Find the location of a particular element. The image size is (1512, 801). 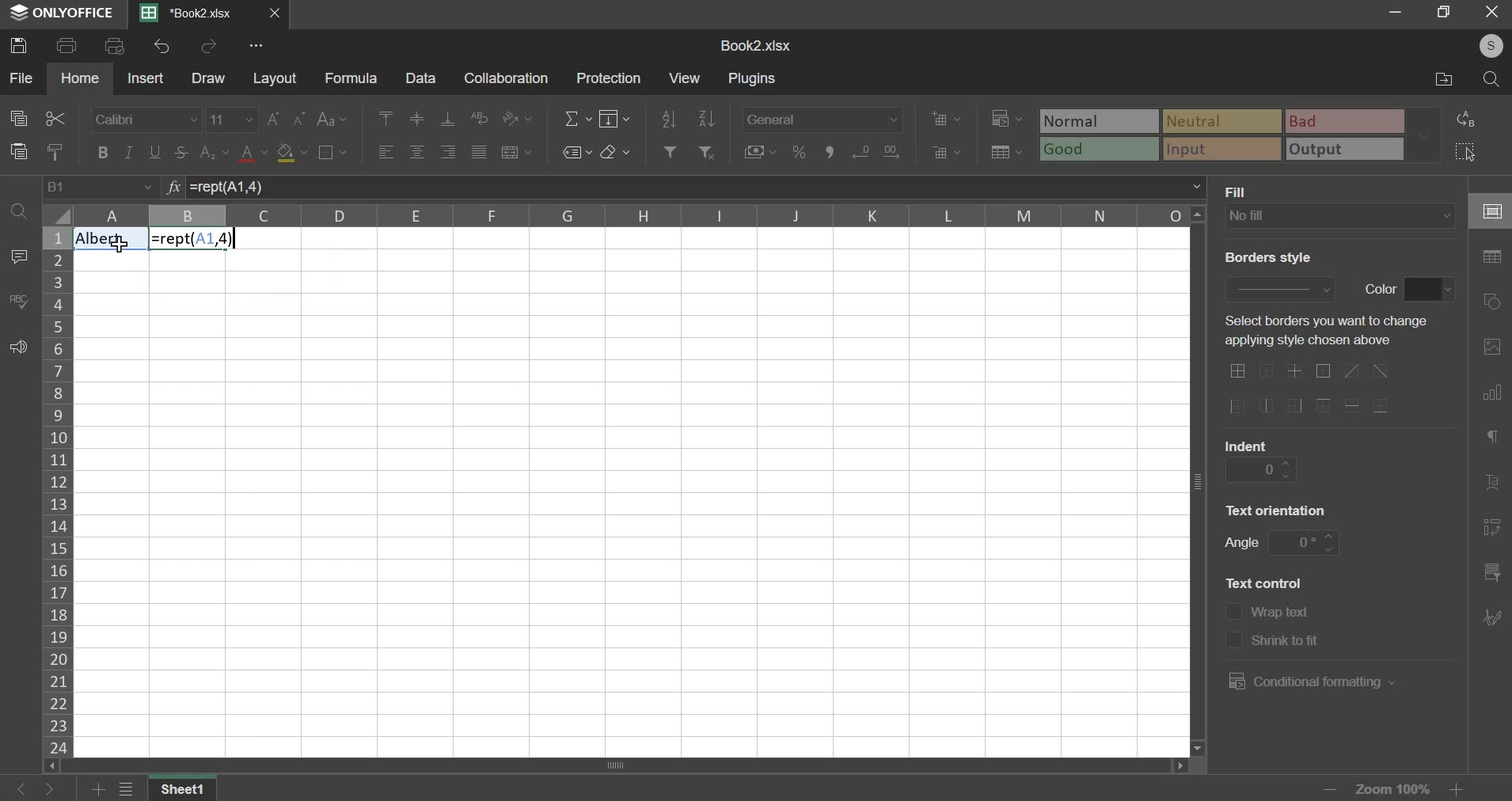

file menu is located at coordinates (127, 789).